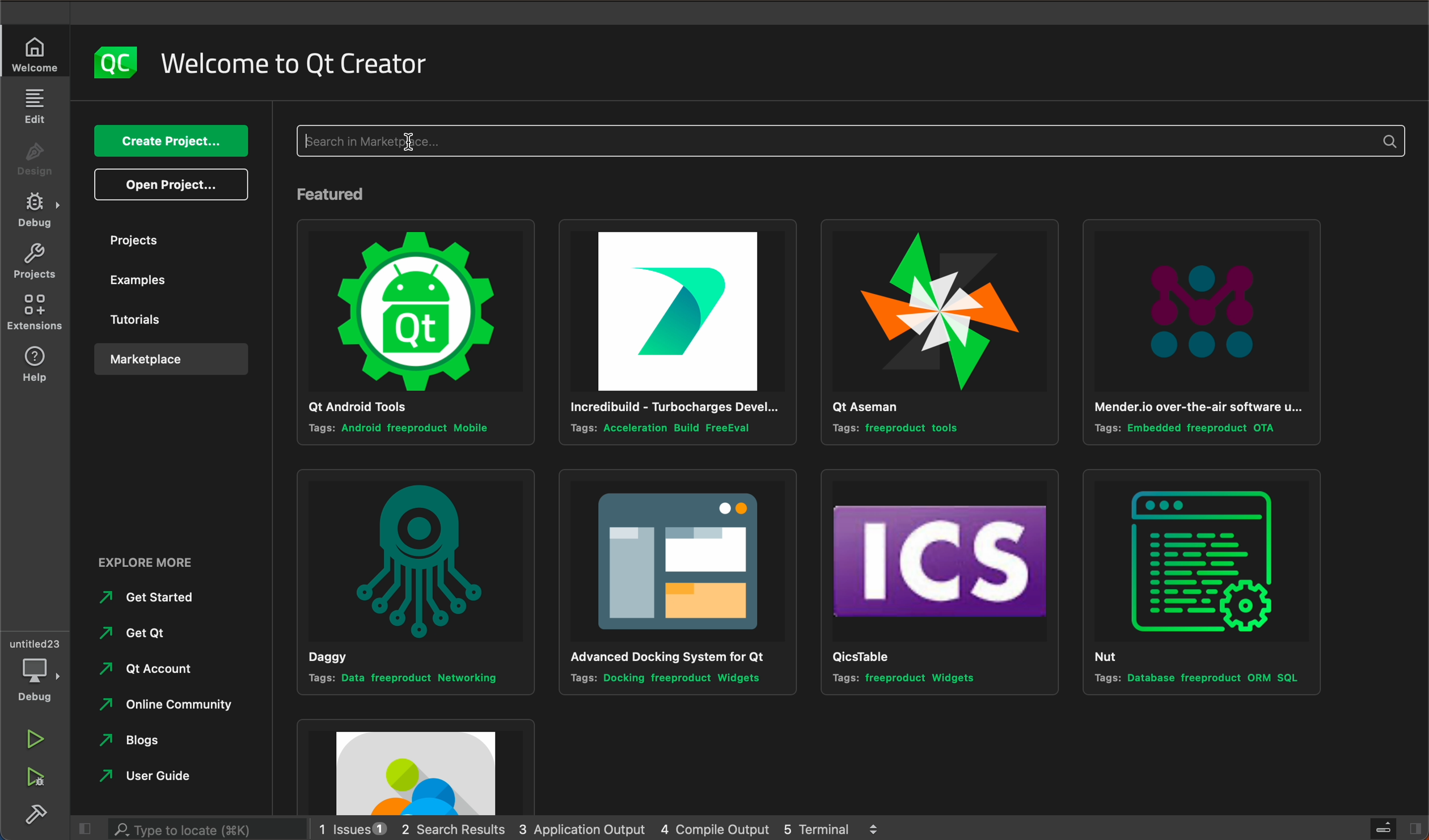 This screenshot has width=1429, height=840. I want to click on , so click(152, 597).